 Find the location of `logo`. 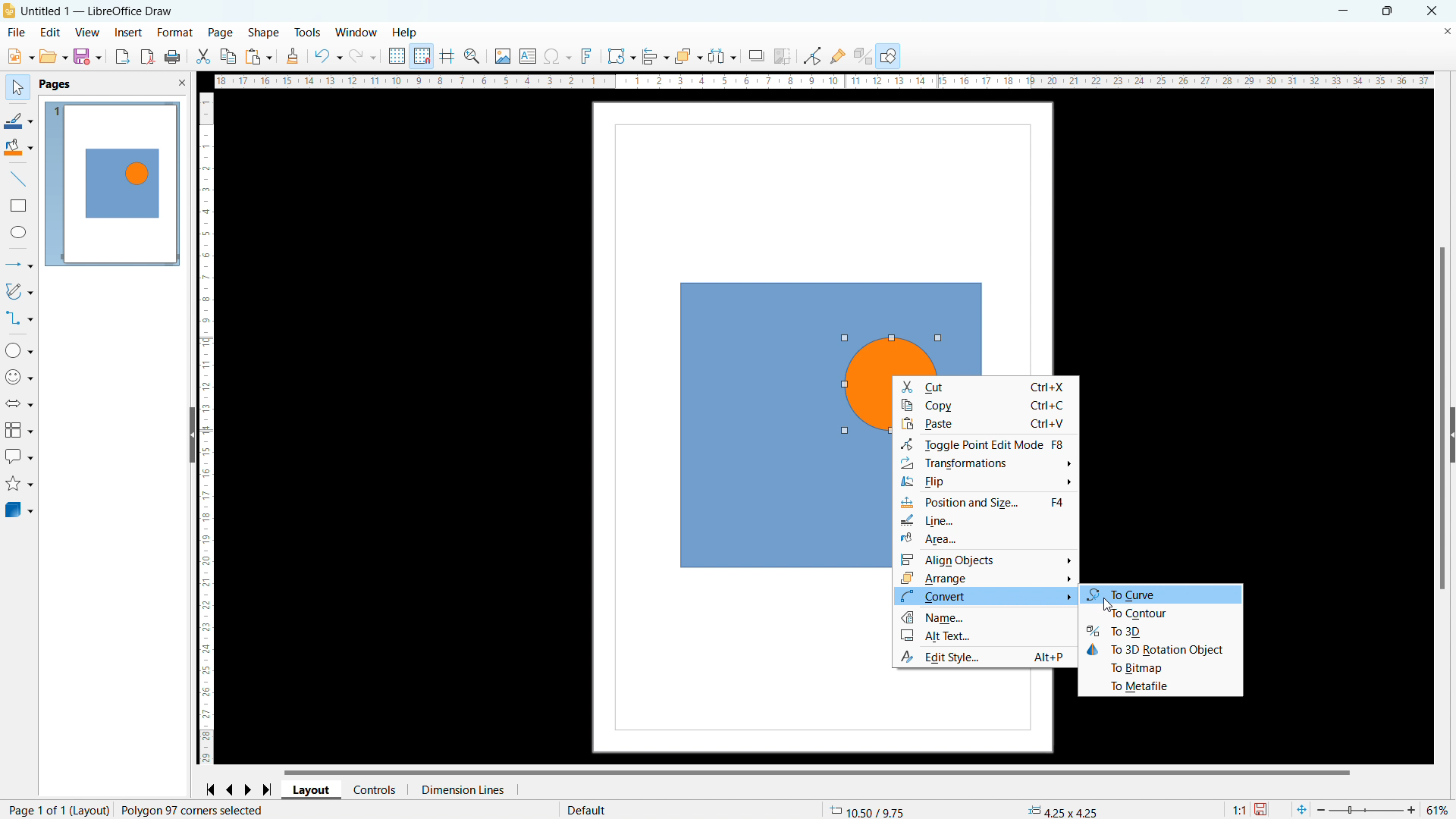

logo is located at coordinates (11, 11).